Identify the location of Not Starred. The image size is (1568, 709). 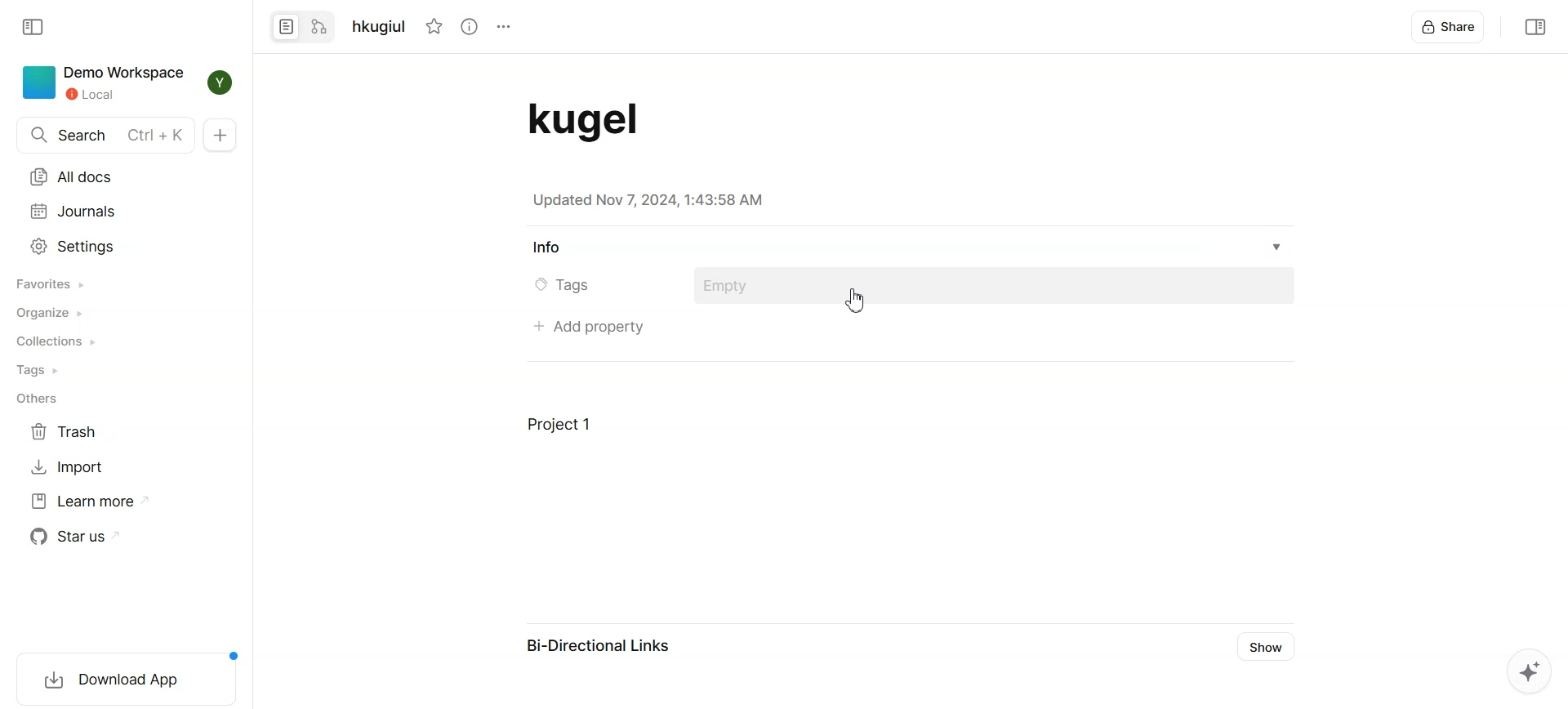
(435, 26).